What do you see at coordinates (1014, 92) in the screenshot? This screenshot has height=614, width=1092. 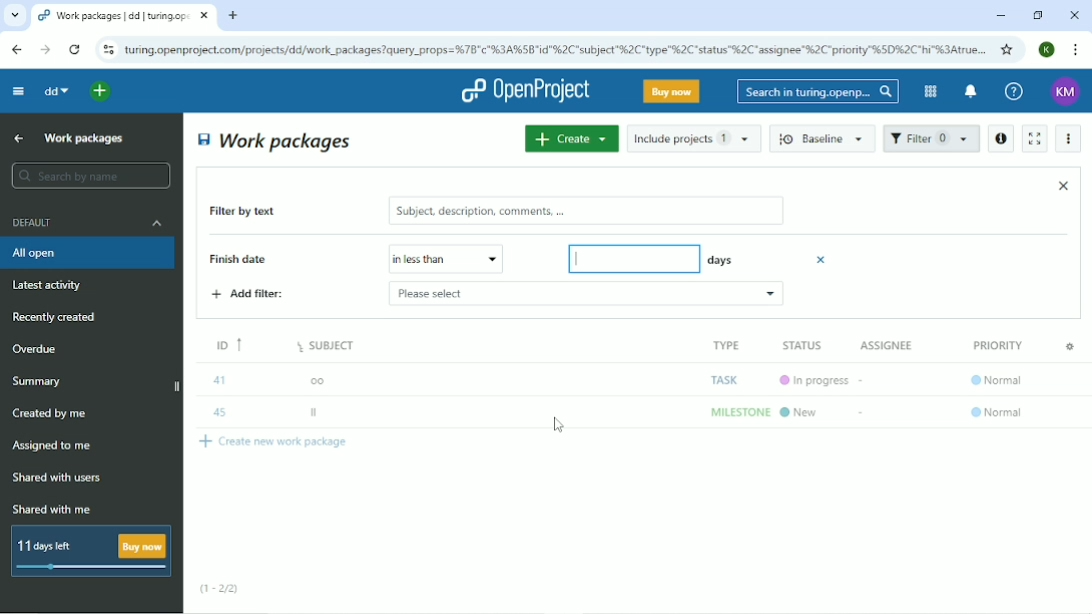 I see `Help` at bounding box center [1014, 92].